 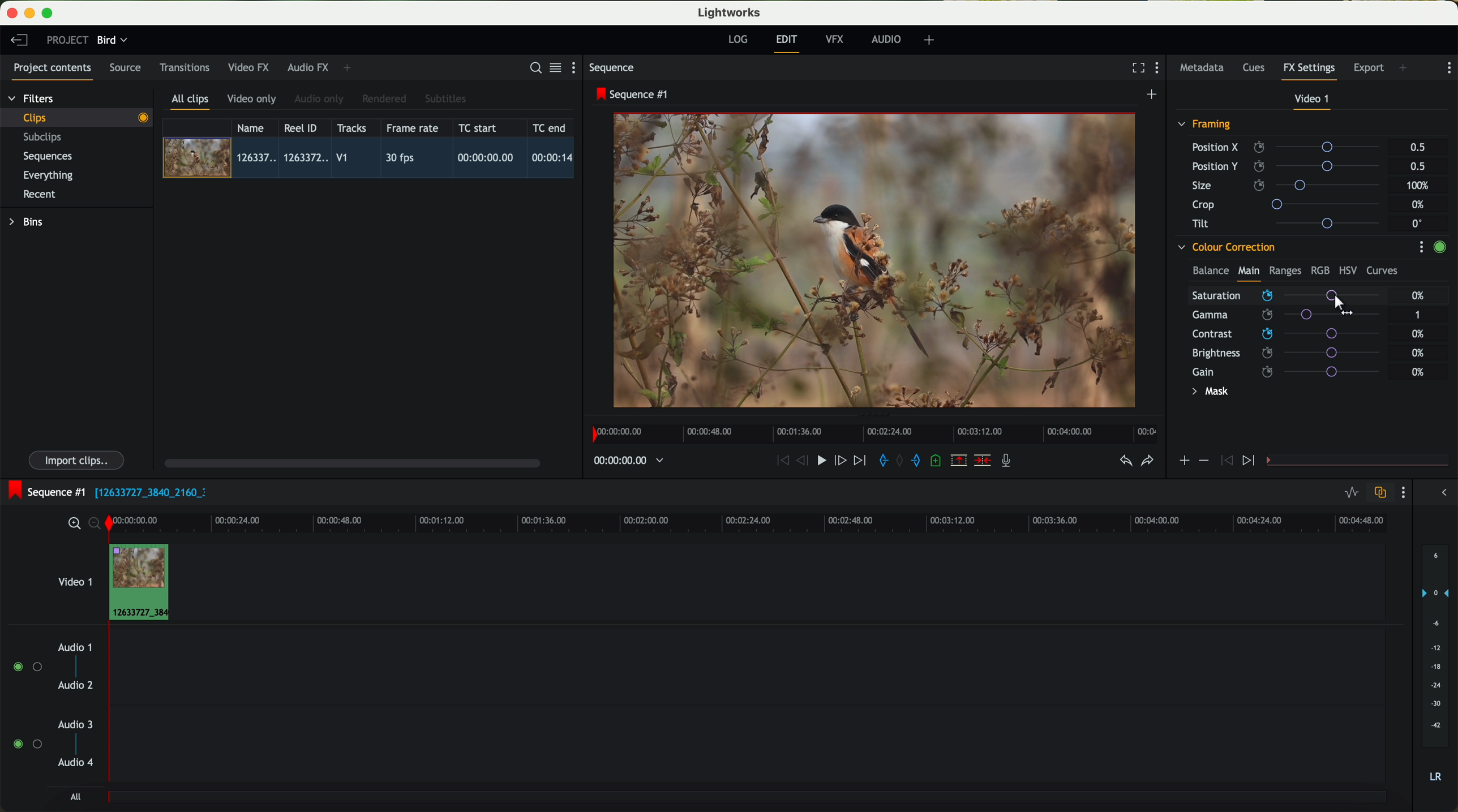 I want to click on video 1, so click(x=74, y=579).